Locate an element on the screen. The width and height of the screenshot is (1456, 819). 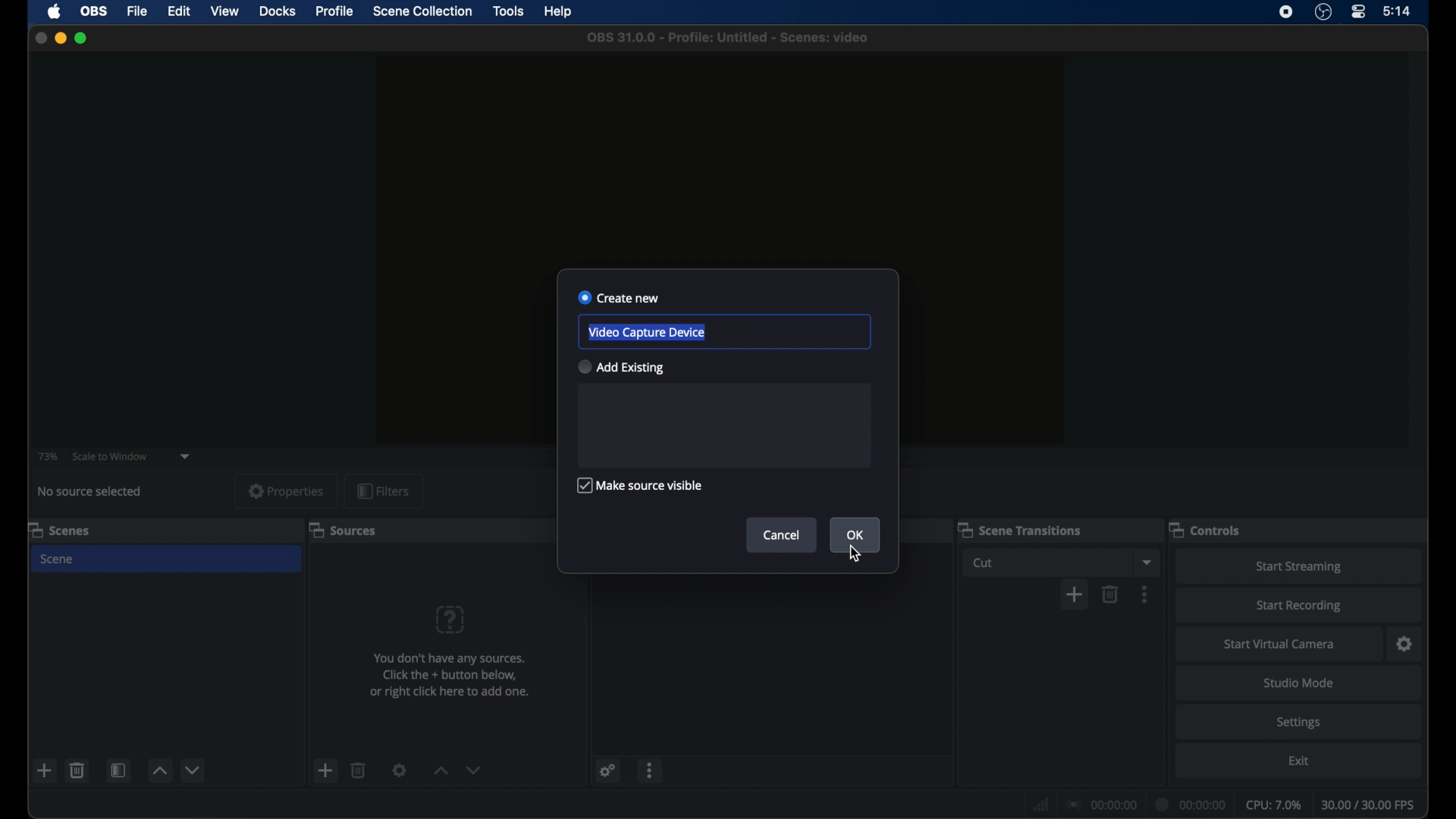
scenes is located at coordinates (58, 529).